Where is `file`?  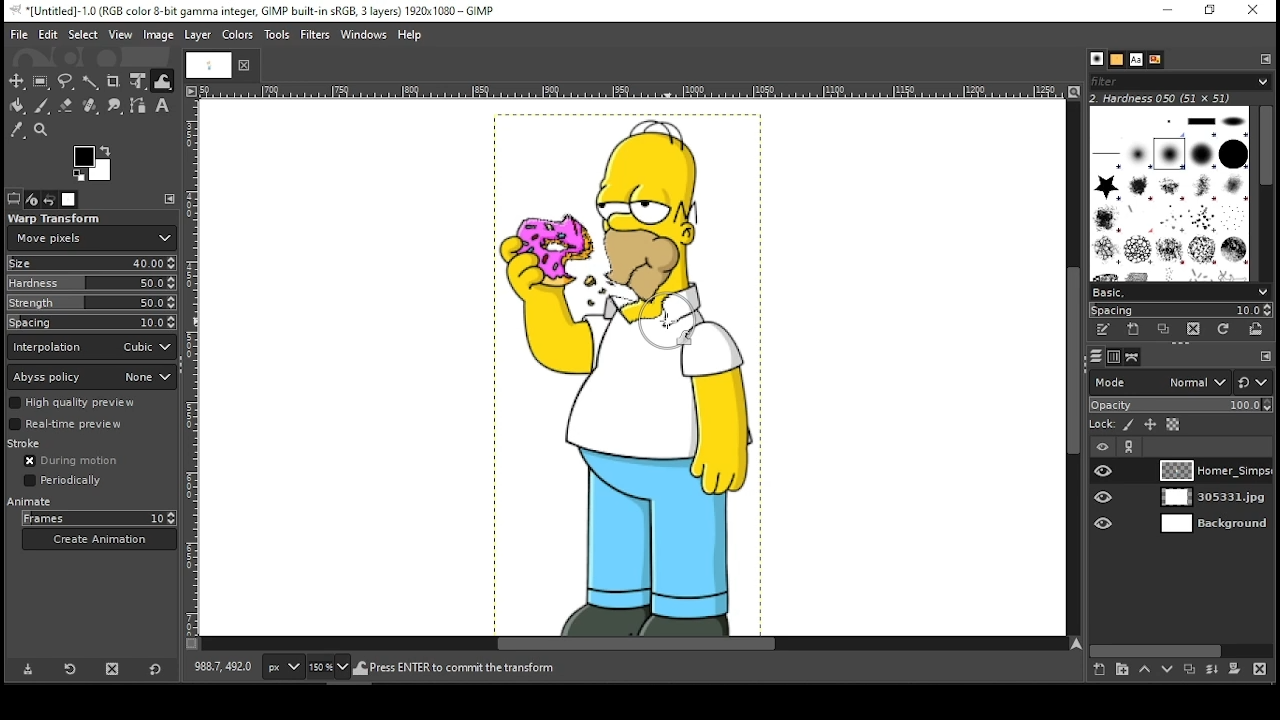
file is located at coordinates (20, 35).